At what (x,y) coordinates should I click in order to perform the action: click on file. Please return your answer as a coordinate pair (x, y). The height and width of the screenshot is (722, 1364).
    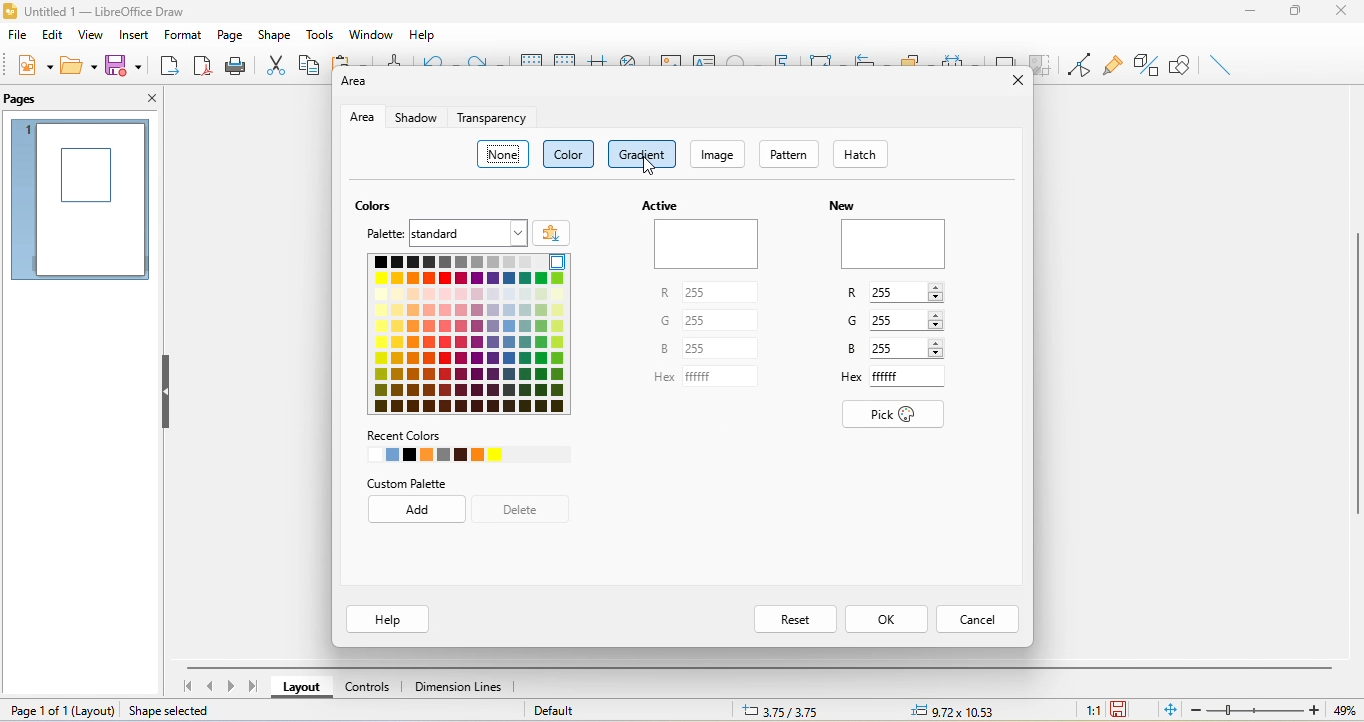
    Looking at the image, I should click on (17, 39).